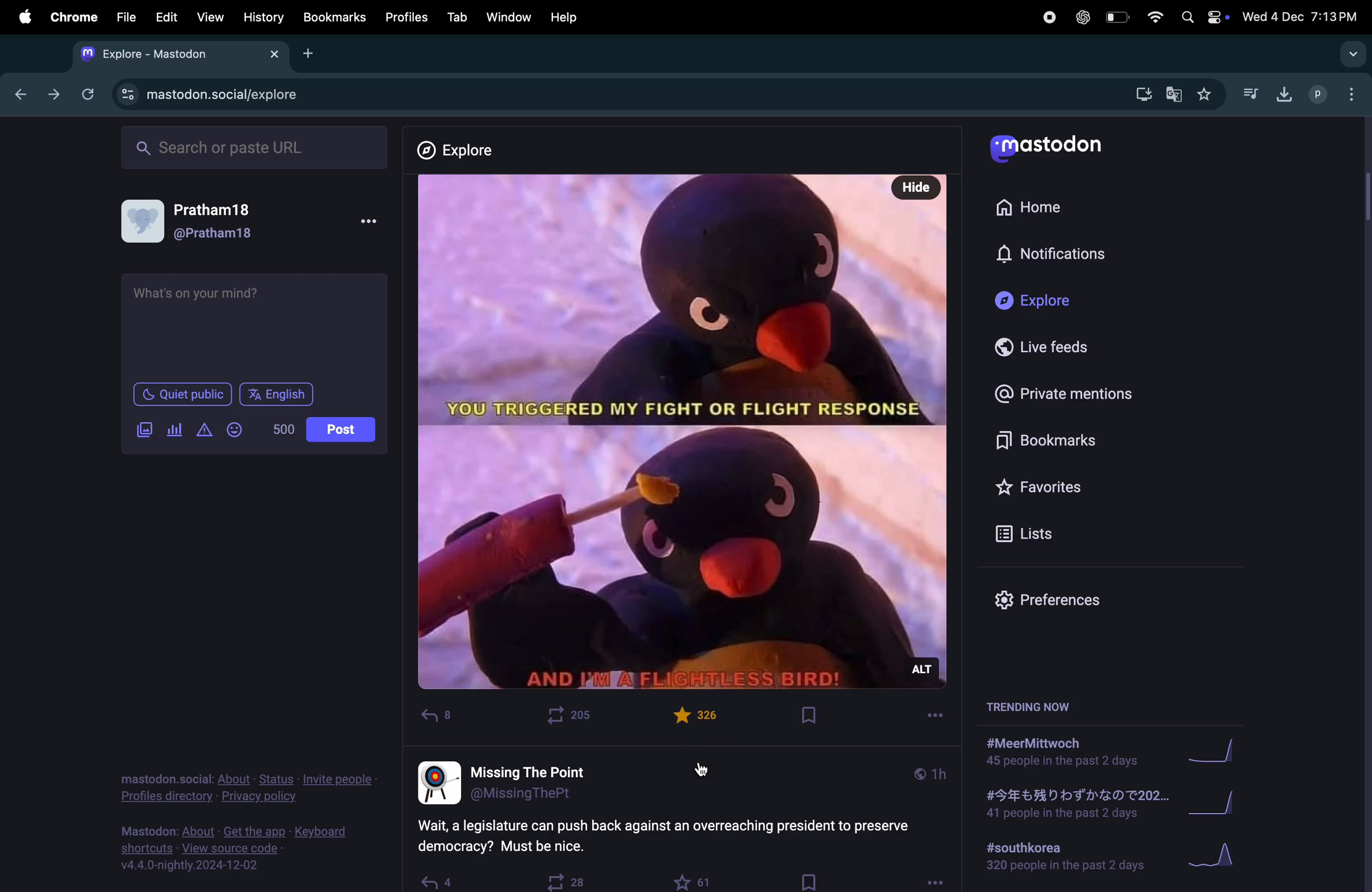  Describe the element at coordinates (1072, 395) in the screenshot. I see `private mentions` at that location.